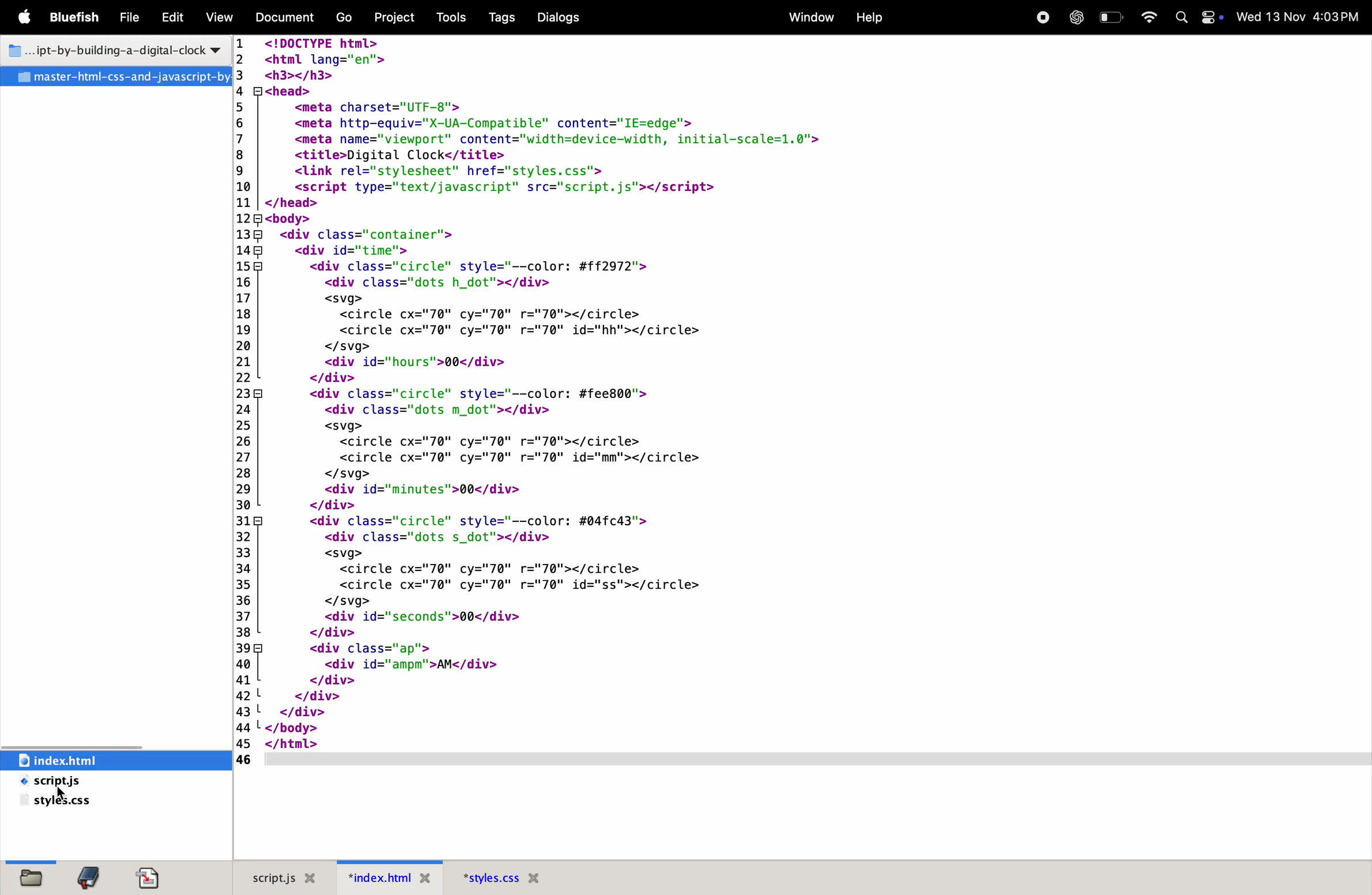 The height and width of the screenshot is (895, 1372). I want to click on Document, so click(151, 876).